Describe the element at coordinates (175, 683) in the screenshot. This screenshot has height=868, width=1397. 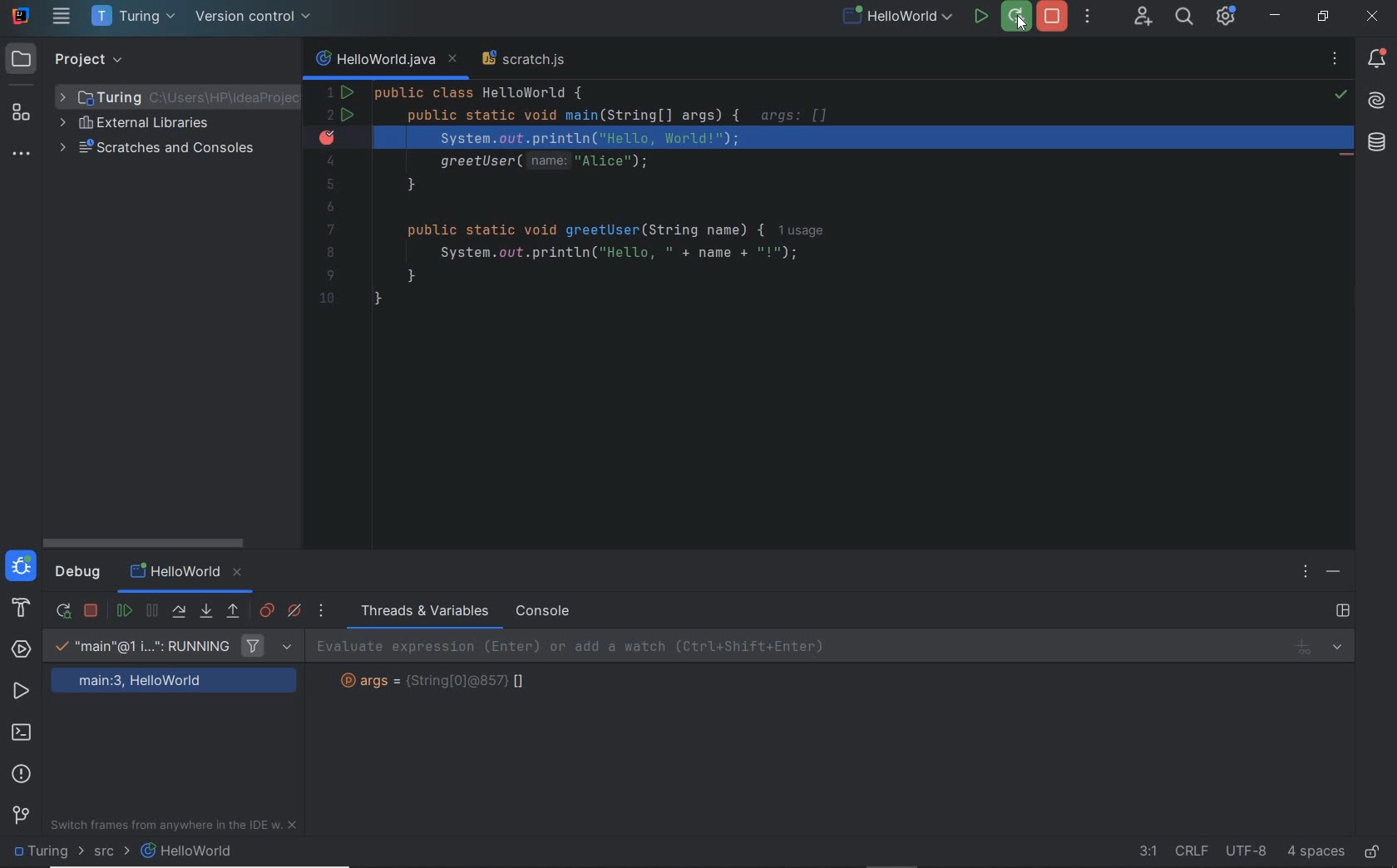
I see `main 3` at that location.